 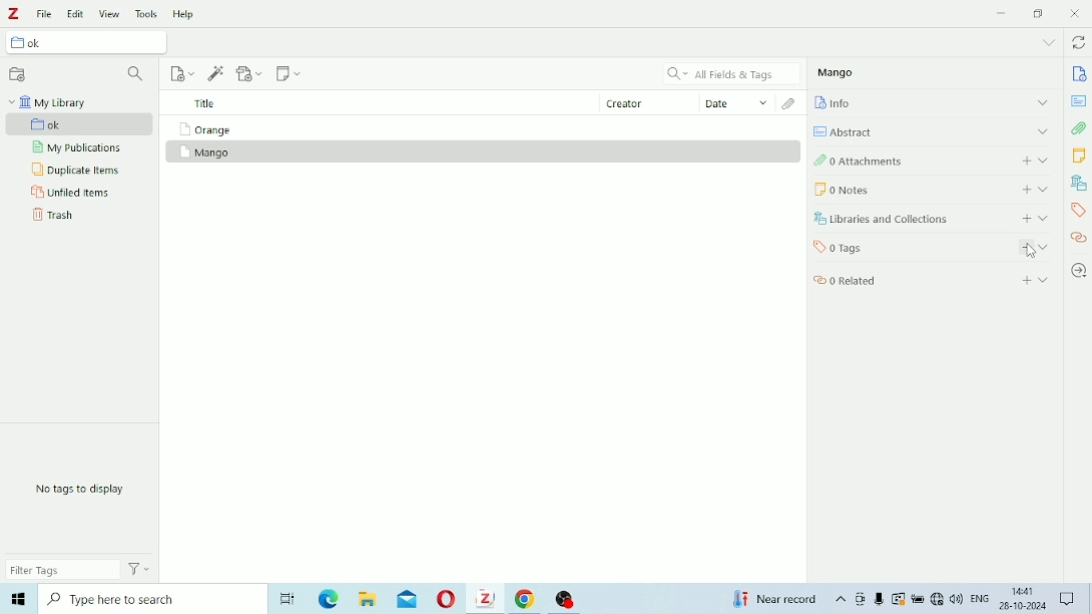 I want to click on File, so click(x=45, y=14).